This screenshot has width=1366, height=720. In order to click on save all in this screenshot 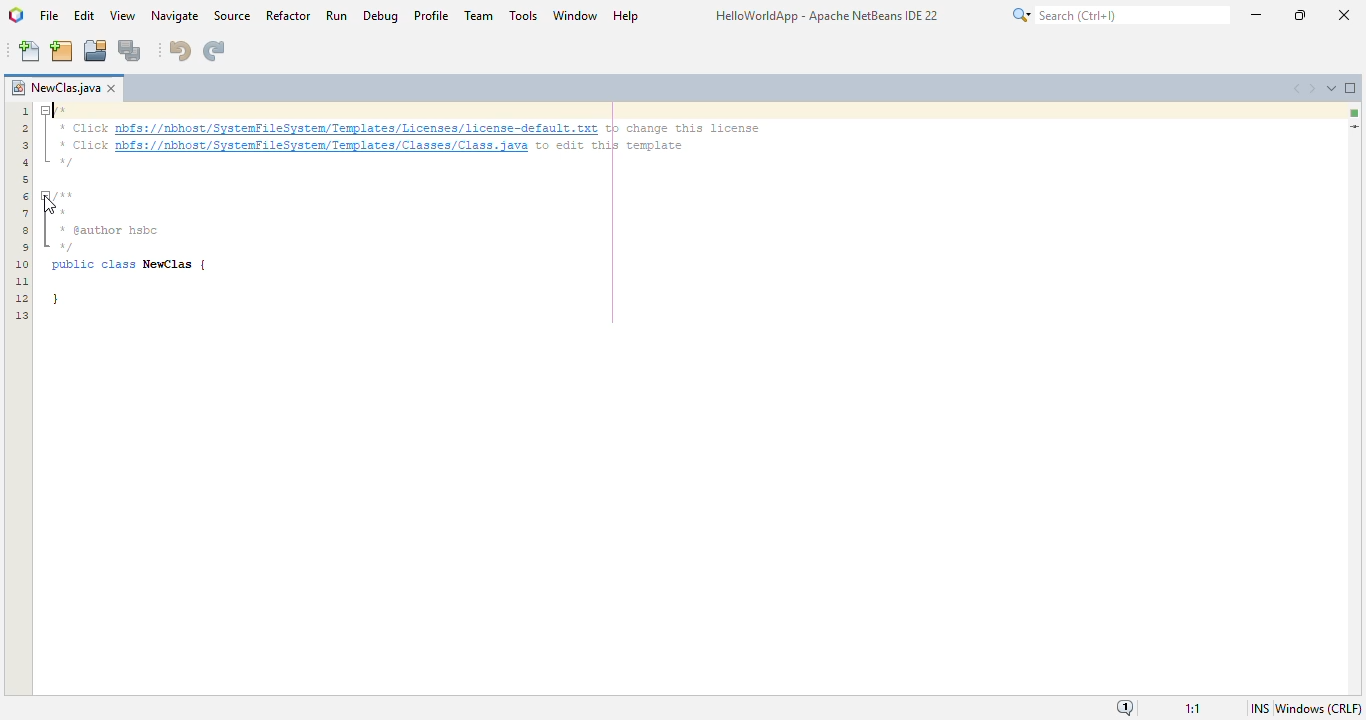, I will do `click(130, 50)`.